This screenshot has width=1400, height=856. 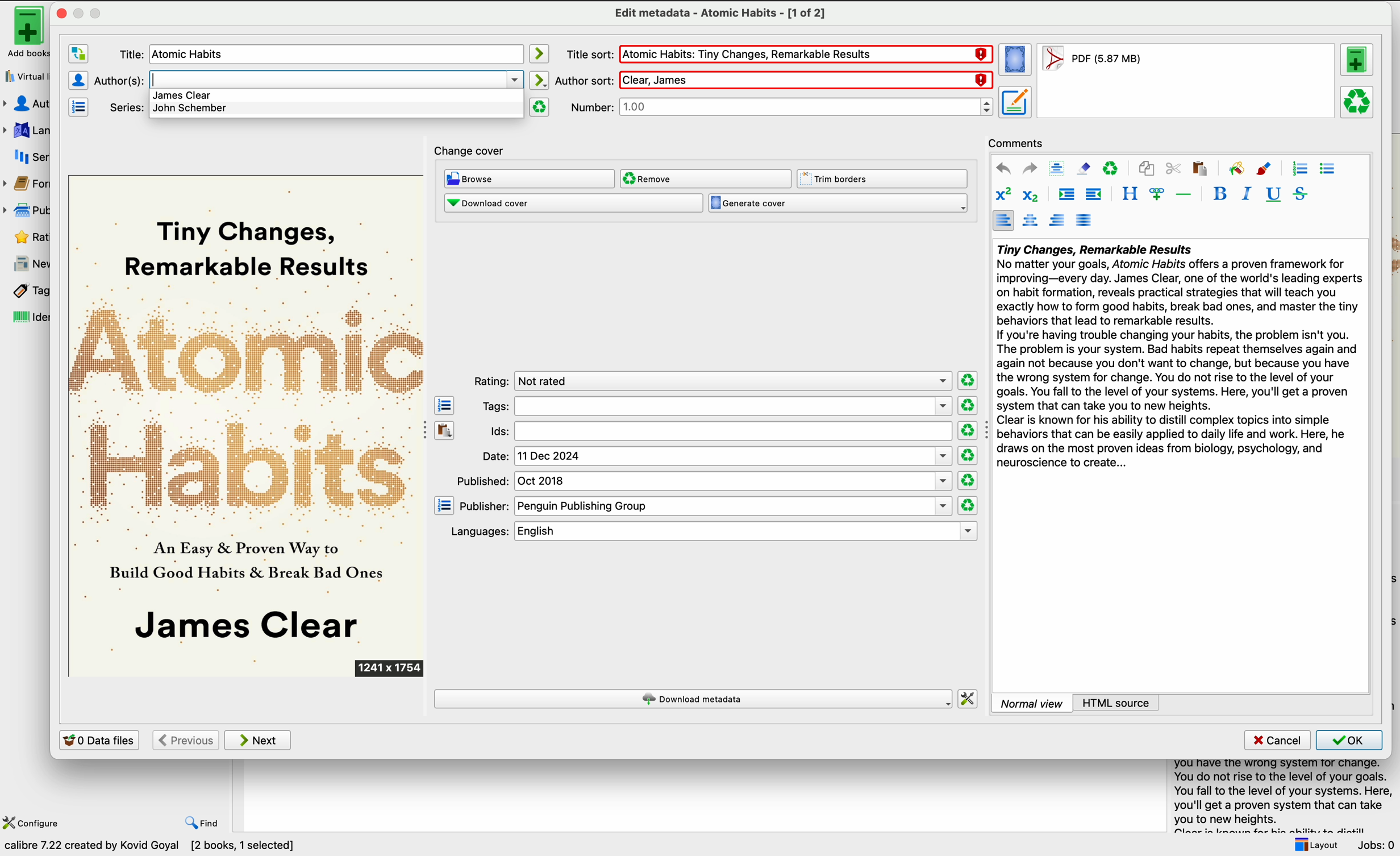 I want to click on increase indentation, so click(x=1066, y=195).